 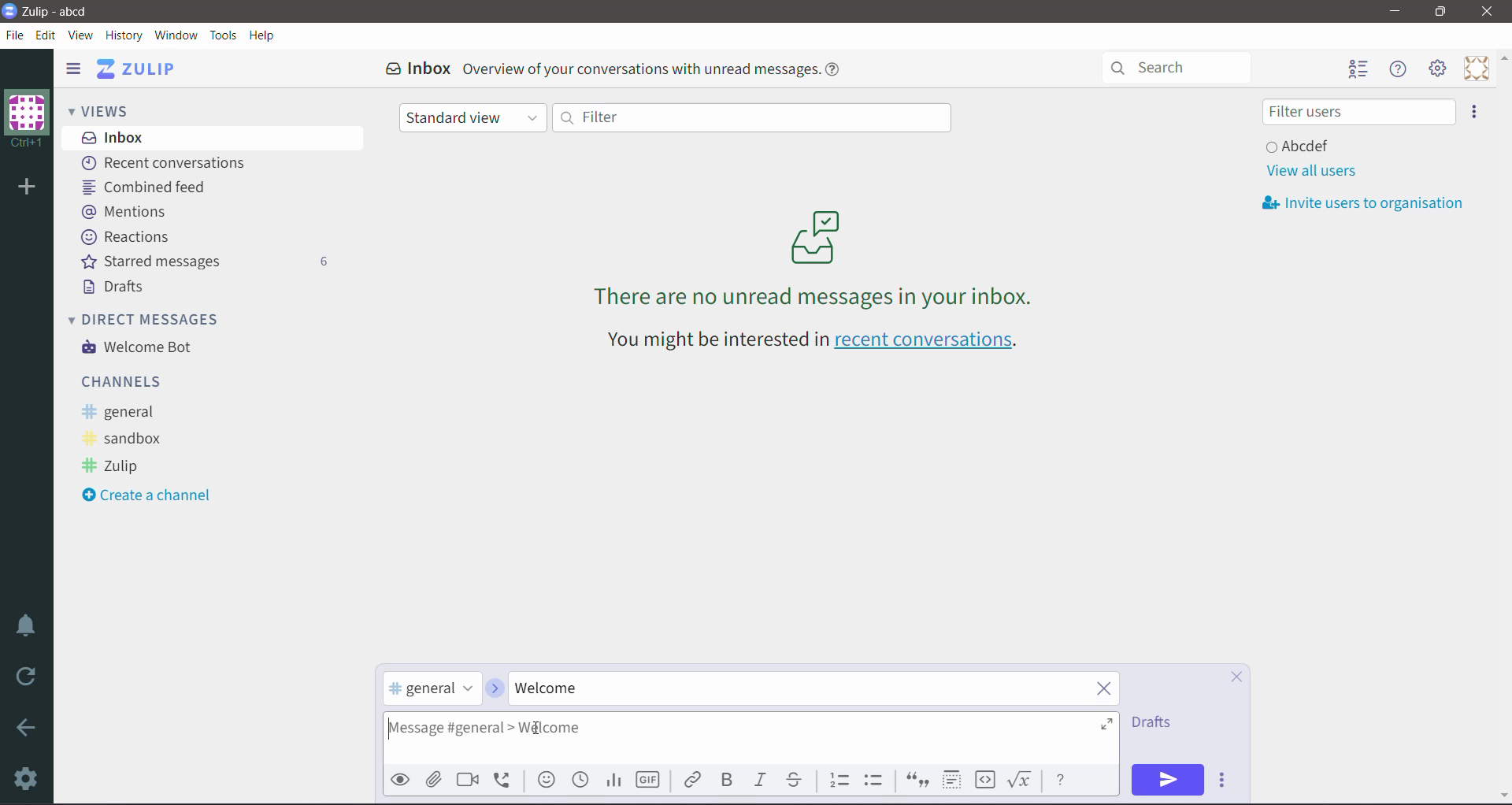 I want to click on Go Back, so click(x=27, y=727).